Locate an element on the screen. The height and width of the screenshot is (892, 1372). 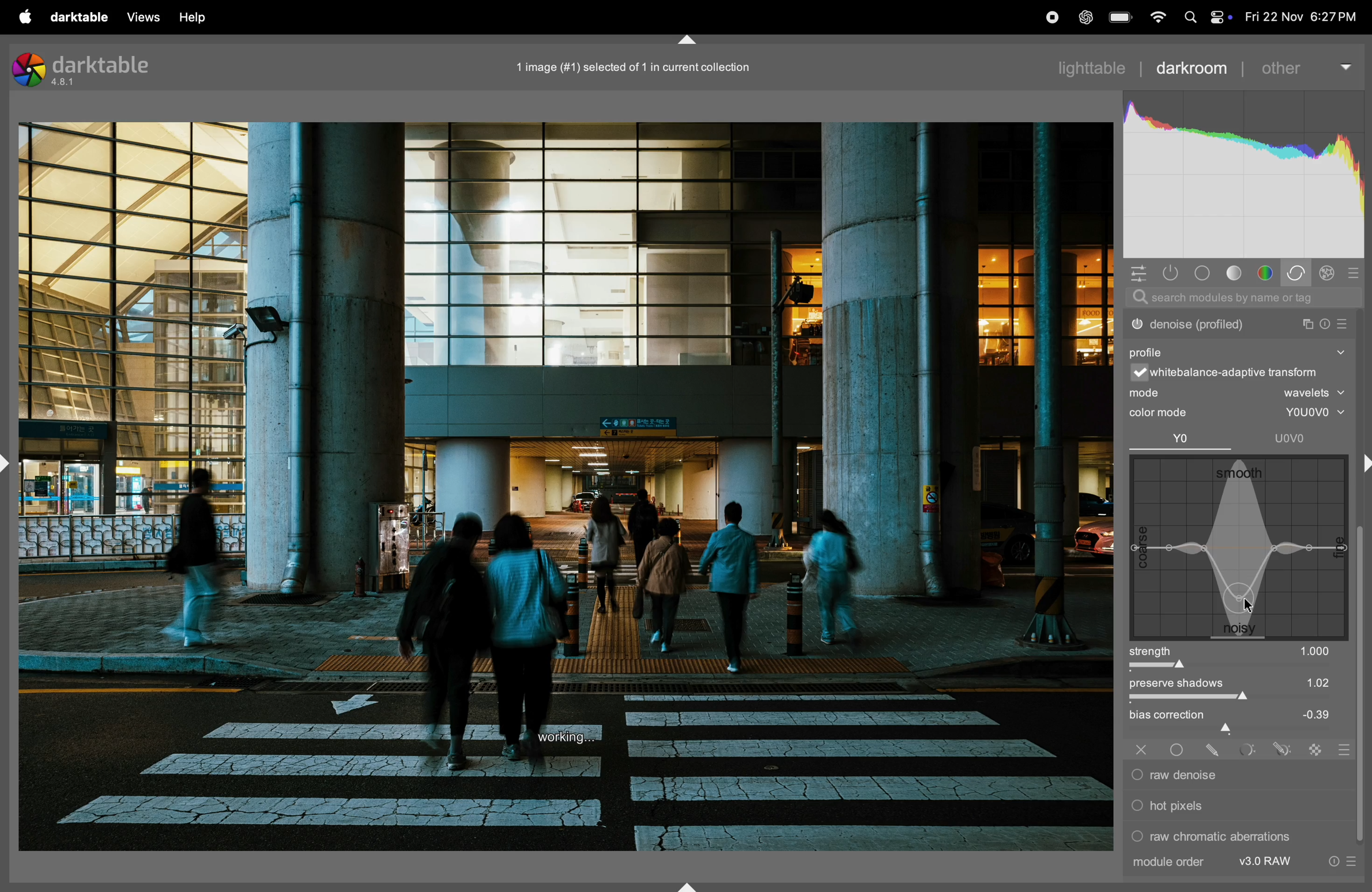
module order is located at coordinates (1208, 862).